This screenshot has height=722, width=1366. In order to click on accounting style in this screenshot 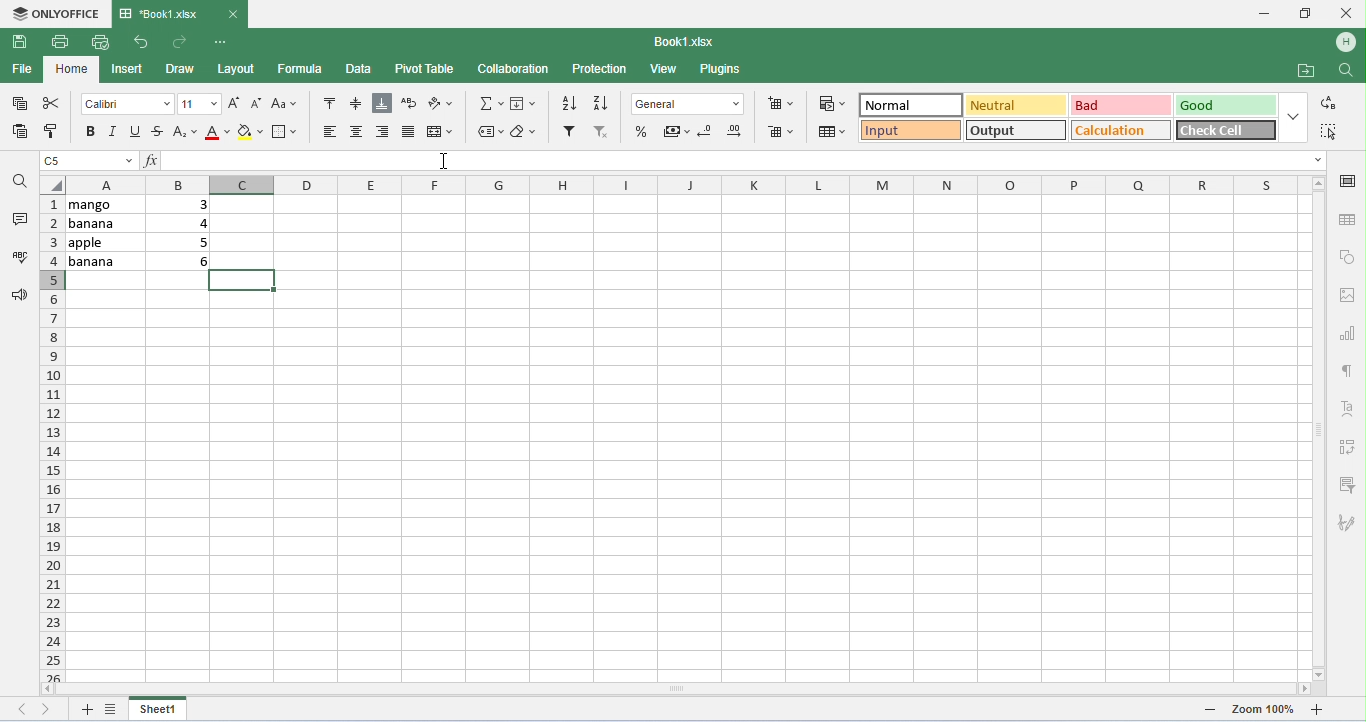, I will do `click(677, 133)`.